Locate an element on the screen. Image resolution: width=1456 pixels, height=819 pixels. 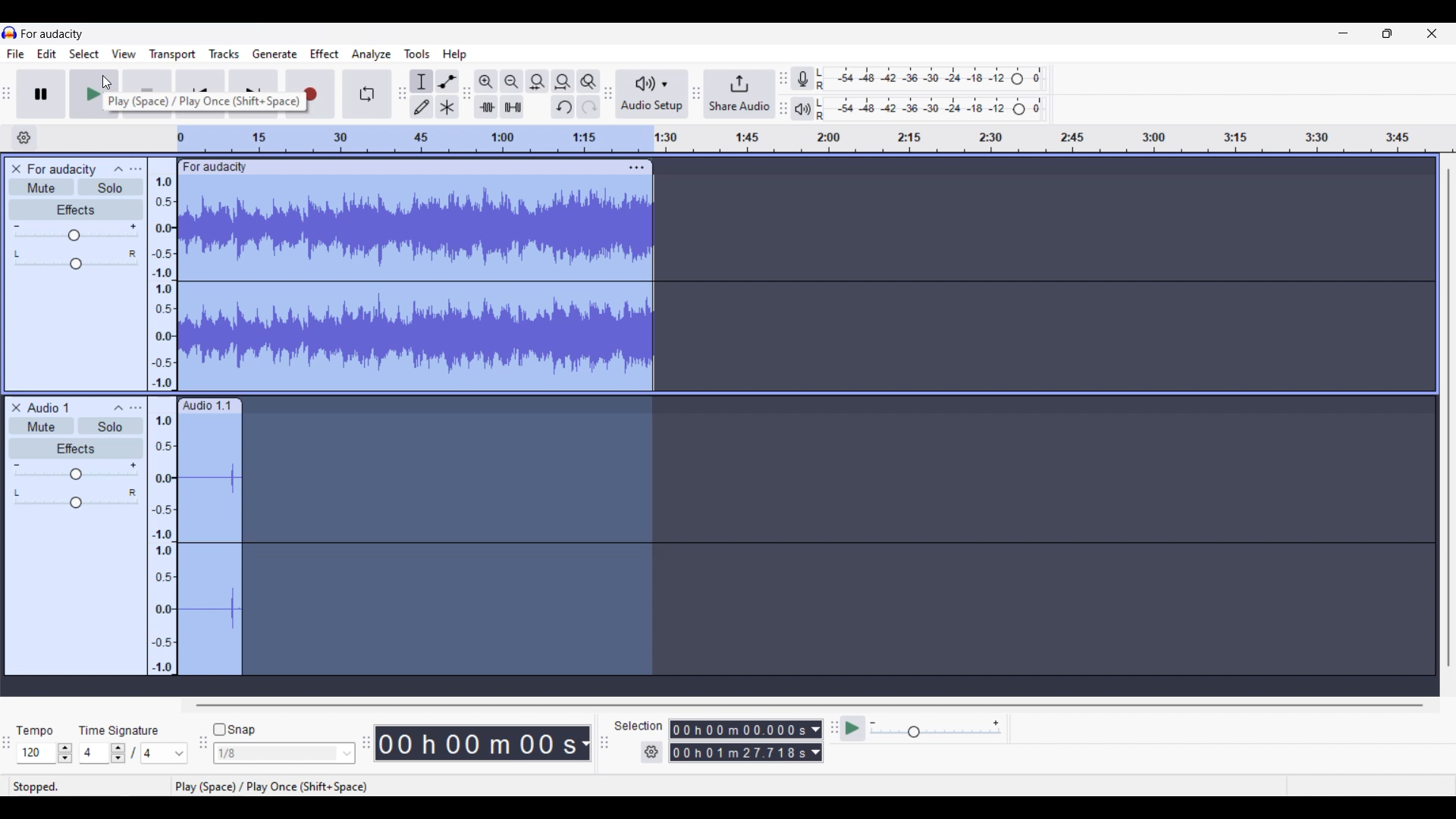
track options is located at coordinates (635, 168).